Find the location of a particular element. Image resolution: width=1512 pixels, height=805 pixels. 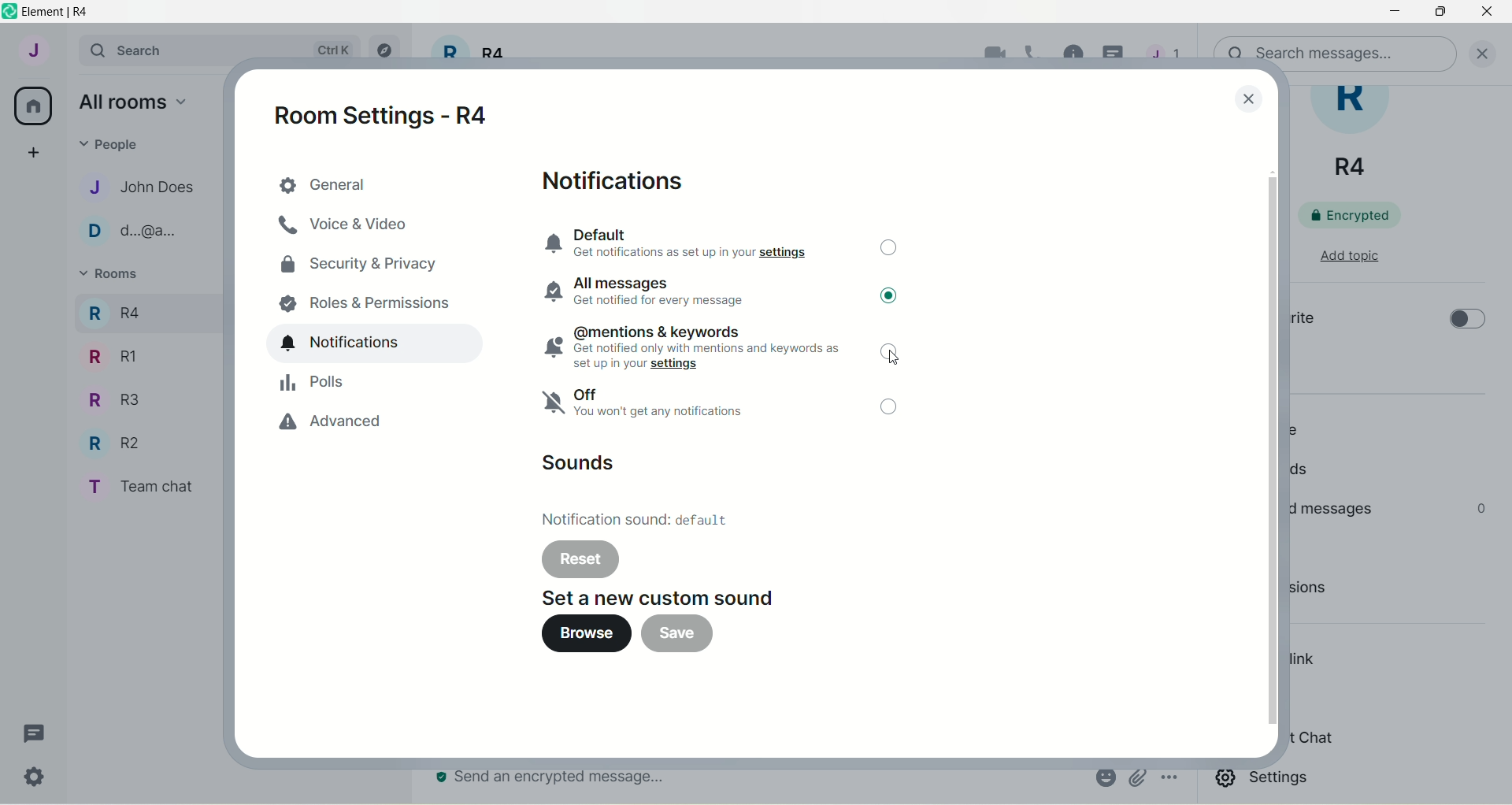

General is located at coordinates (372, 184).